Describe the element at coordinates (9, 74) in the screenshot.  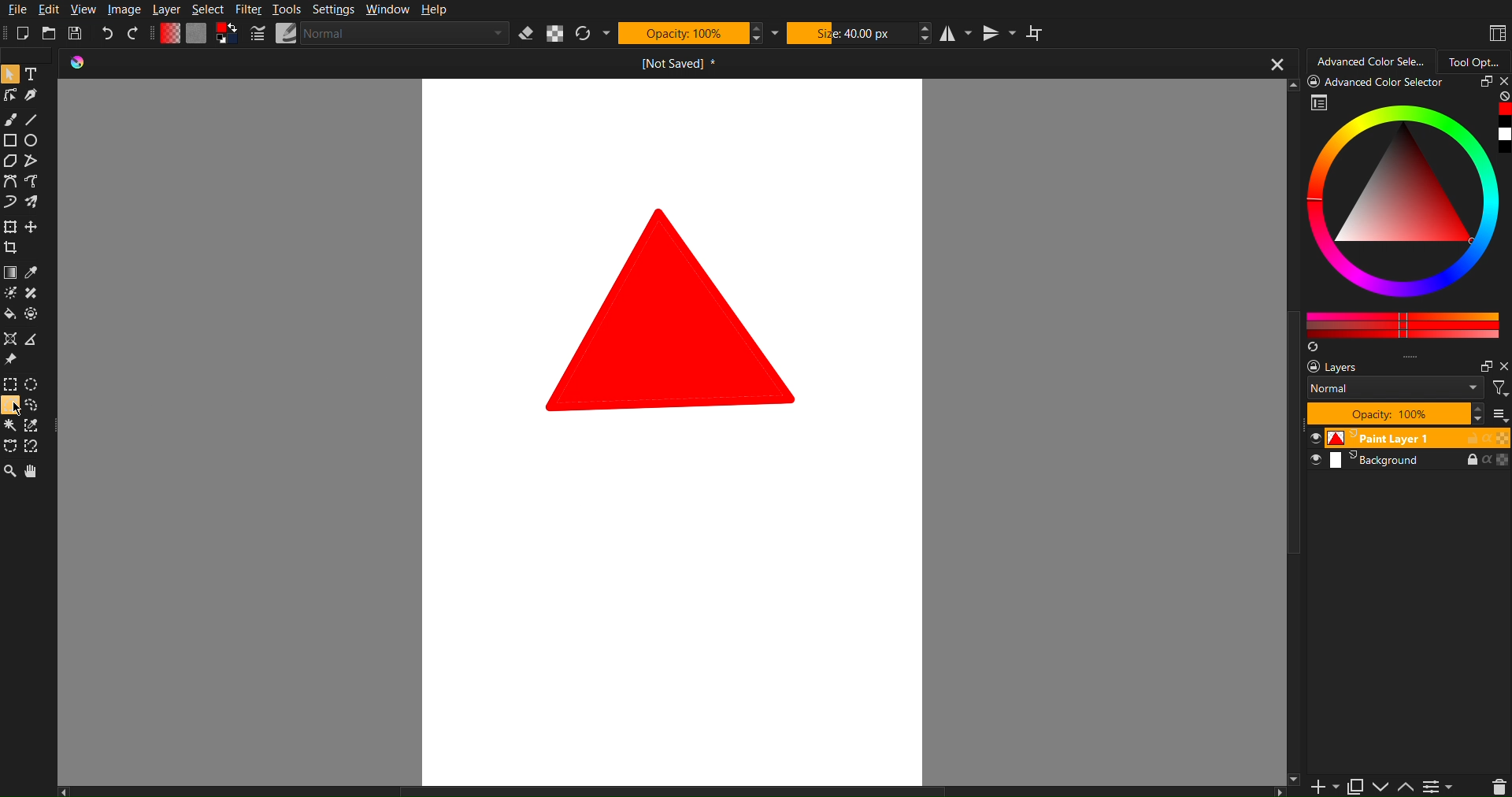
I see `Pointer` at that location.